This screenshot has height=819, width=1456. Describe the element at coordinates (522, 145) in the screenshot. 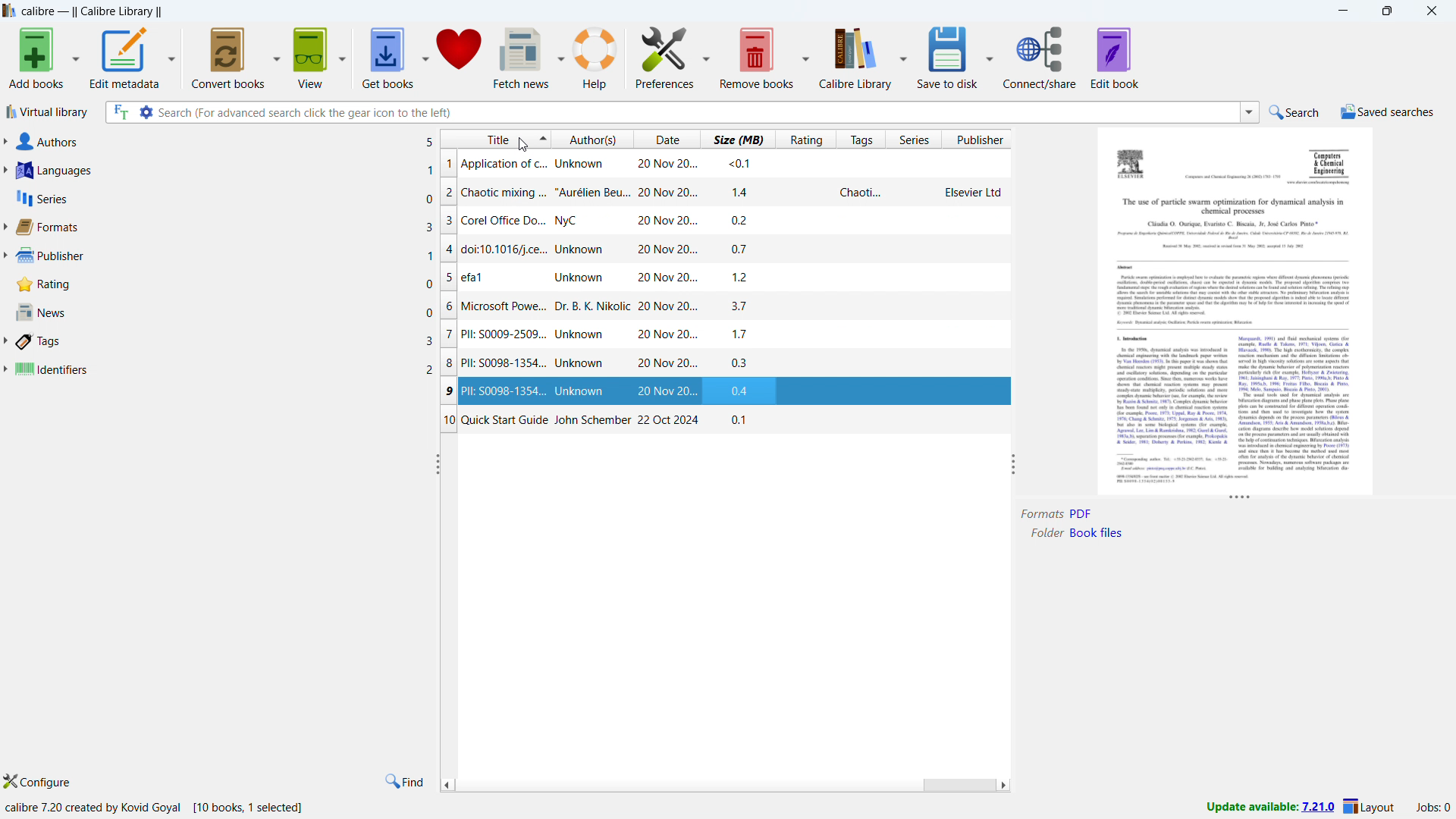

I see `Cursor` at that location.